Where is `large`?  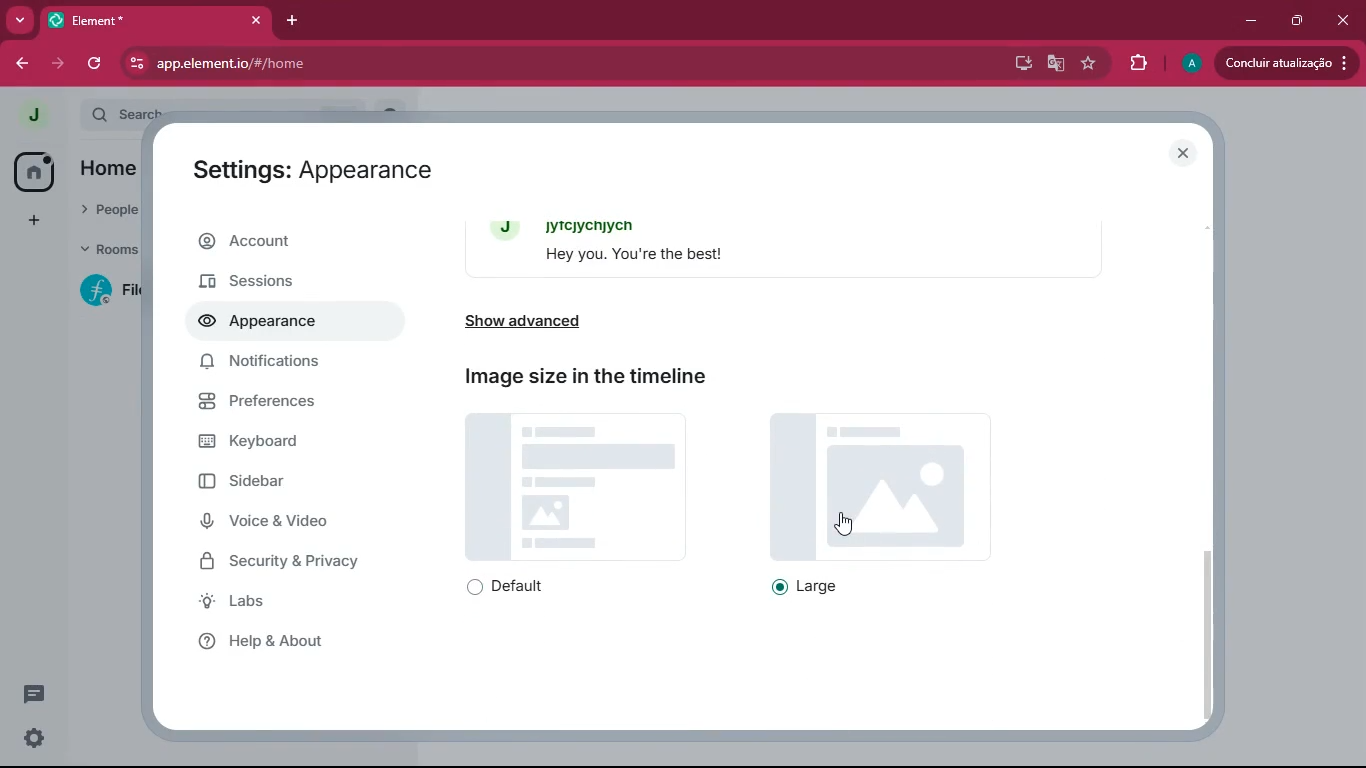 large is located at coordinates (818, 586).